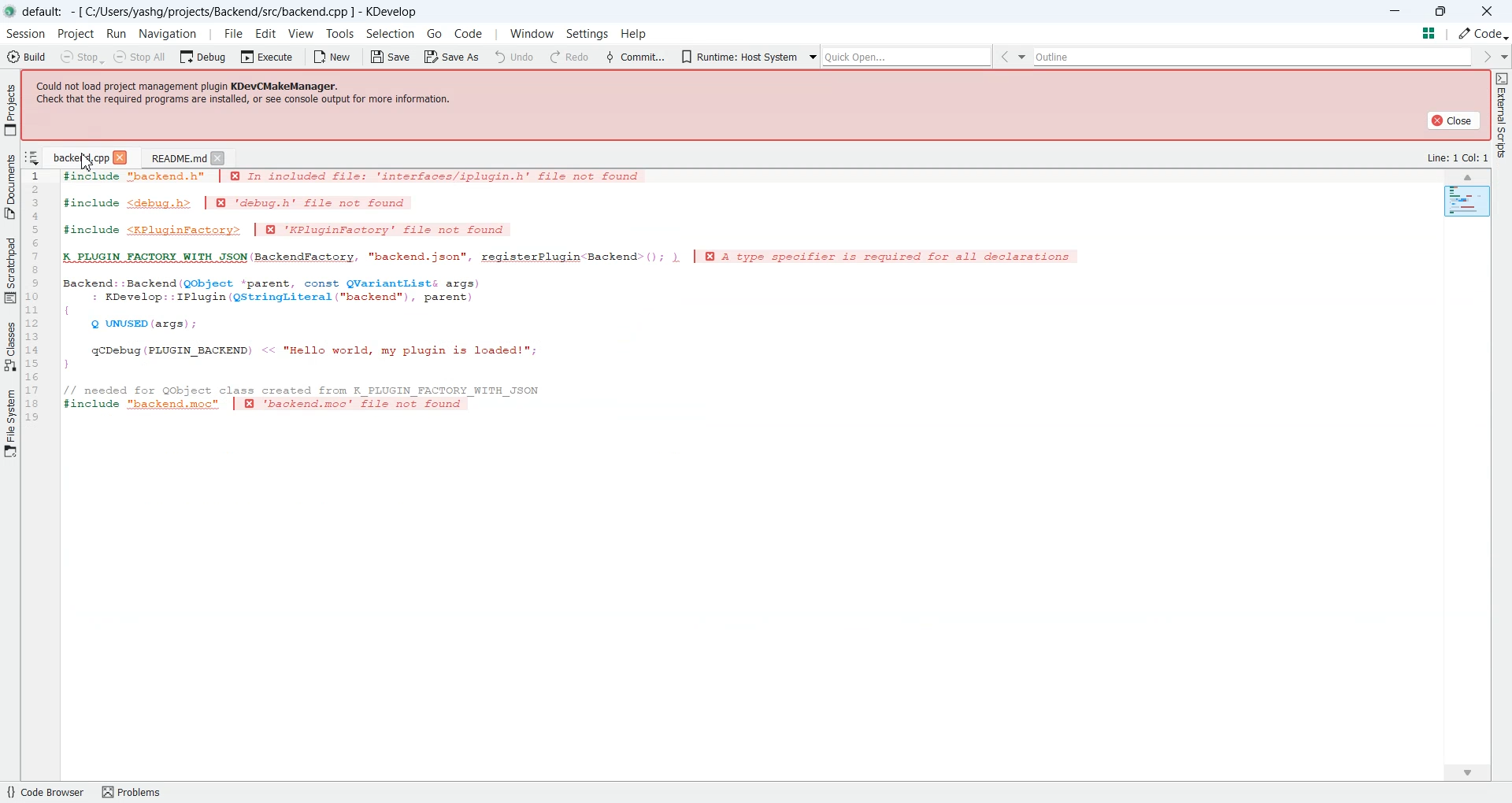 The width and height of the screenshot is (1512, 803). What do you see at coordinates (1429, 32) in the screenshot?
I see `Document overview` at bounding box center [1429, 32].